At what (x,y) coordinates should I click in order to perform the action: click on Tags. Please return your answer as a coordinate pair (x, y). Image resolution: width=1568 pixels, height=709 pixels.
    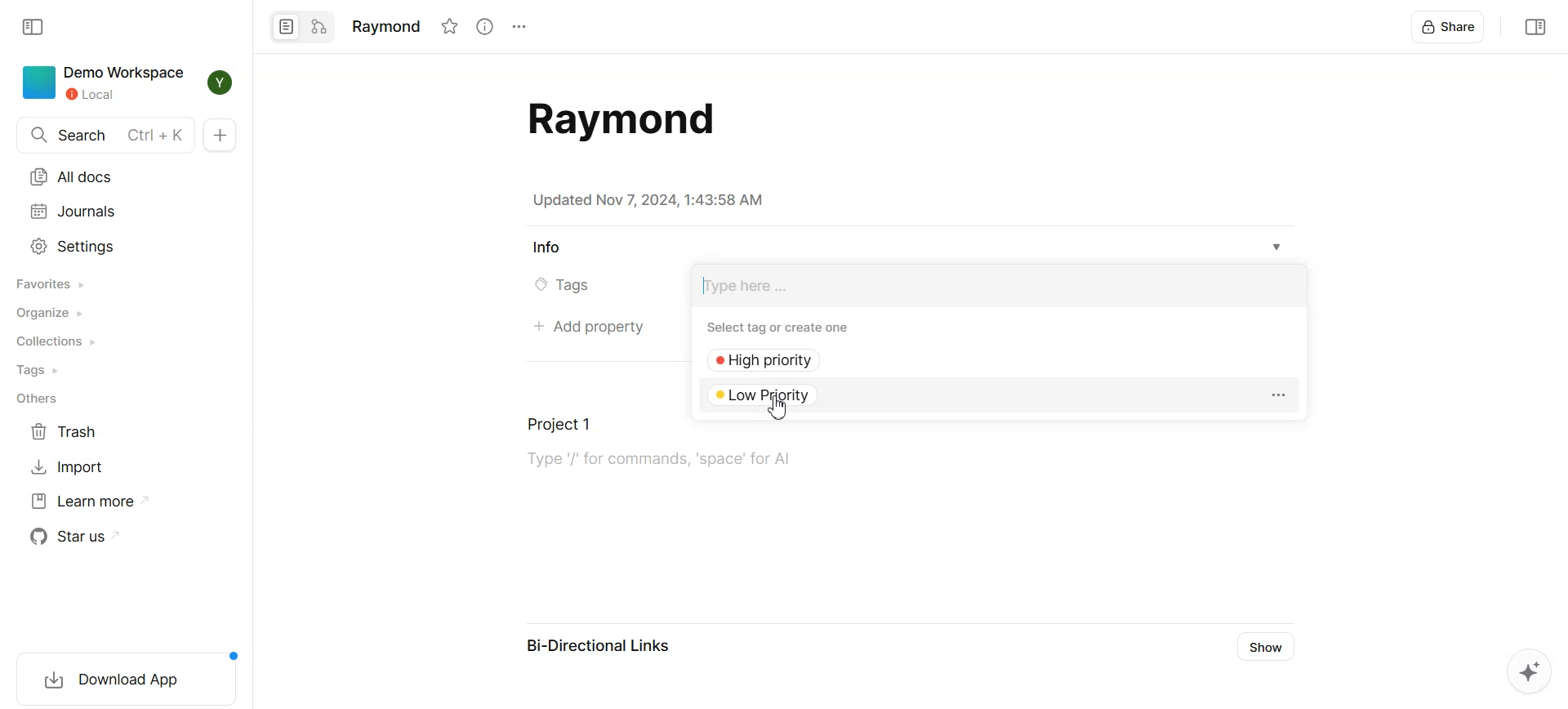
    Looking at the image, I should click on (42, 370).